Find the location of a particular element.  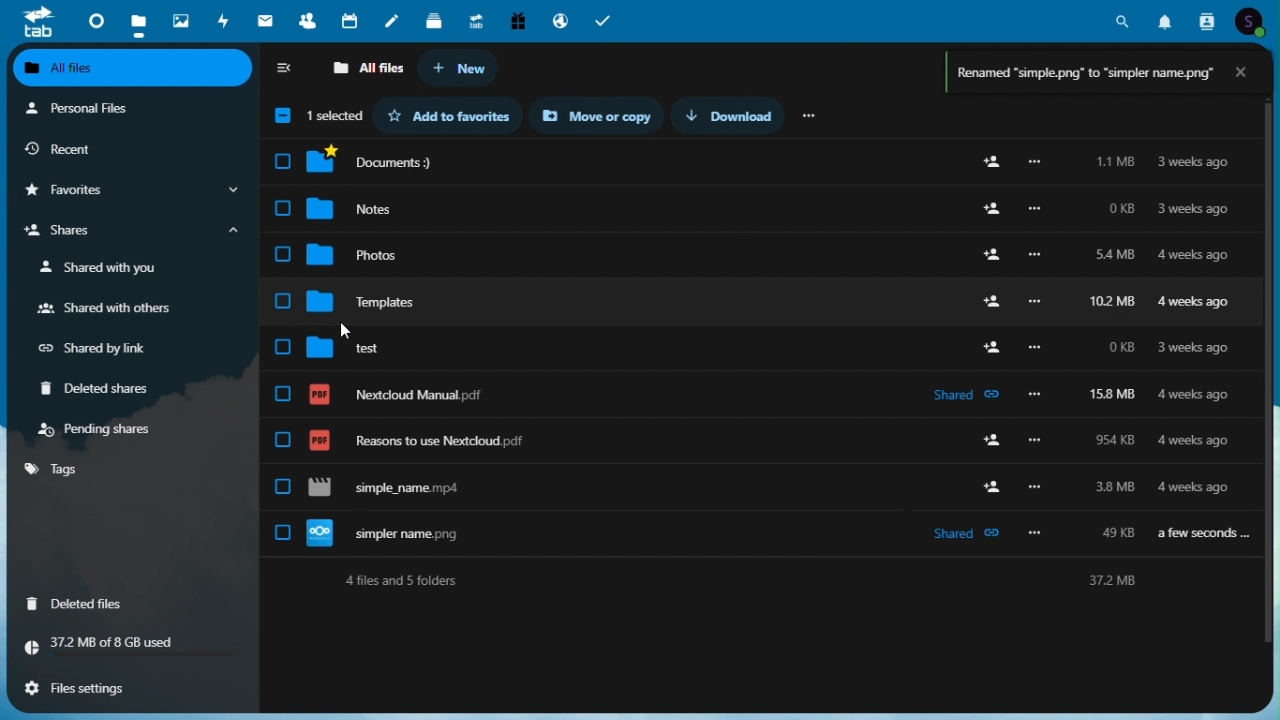

Templates 102 MB 4 weeks ago is located at coordinates (759, 293).